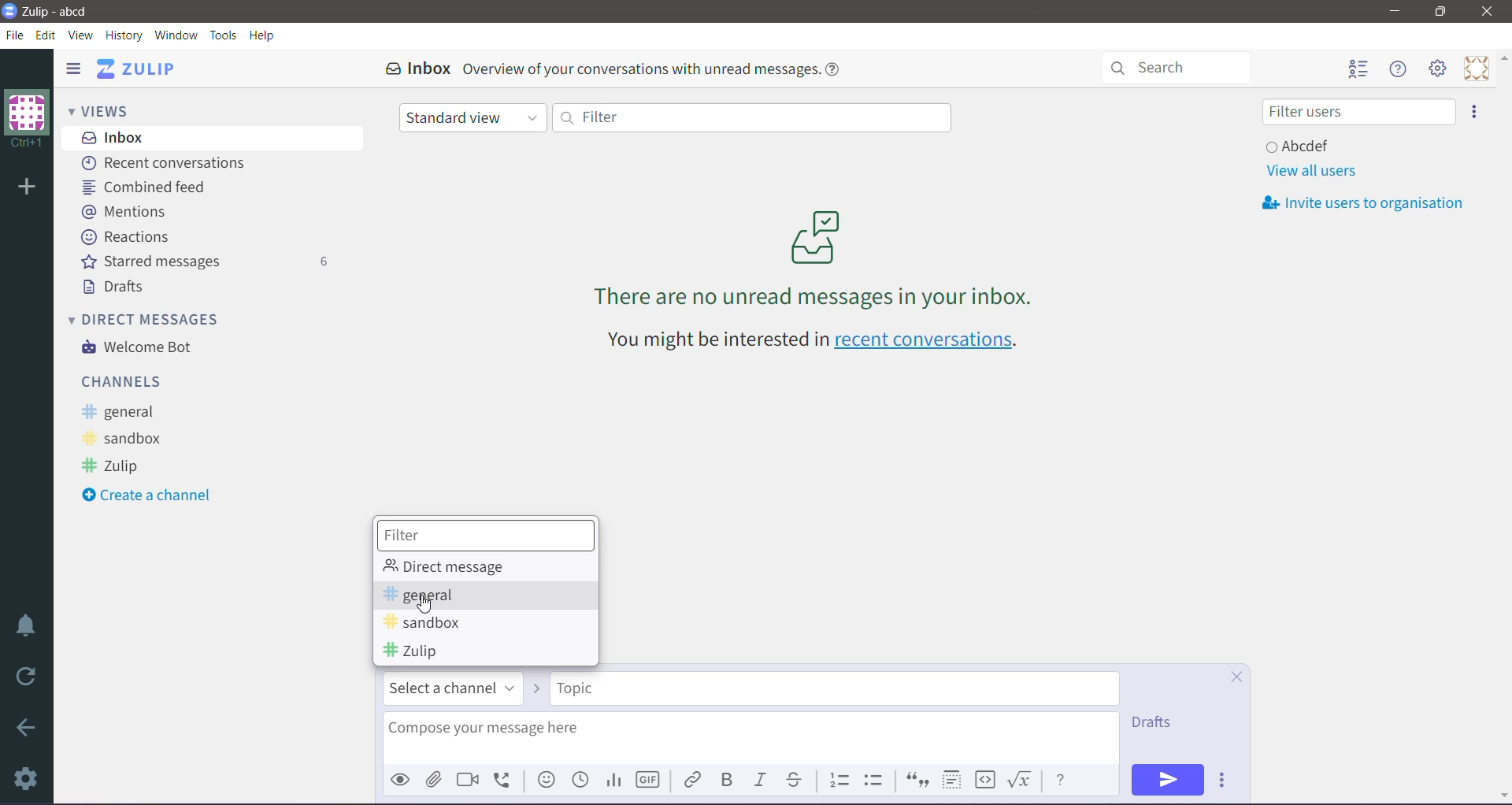  Describe the element at coordinates (1369, 203) in the screenshot. I see `Invite usersto organization` at that location.